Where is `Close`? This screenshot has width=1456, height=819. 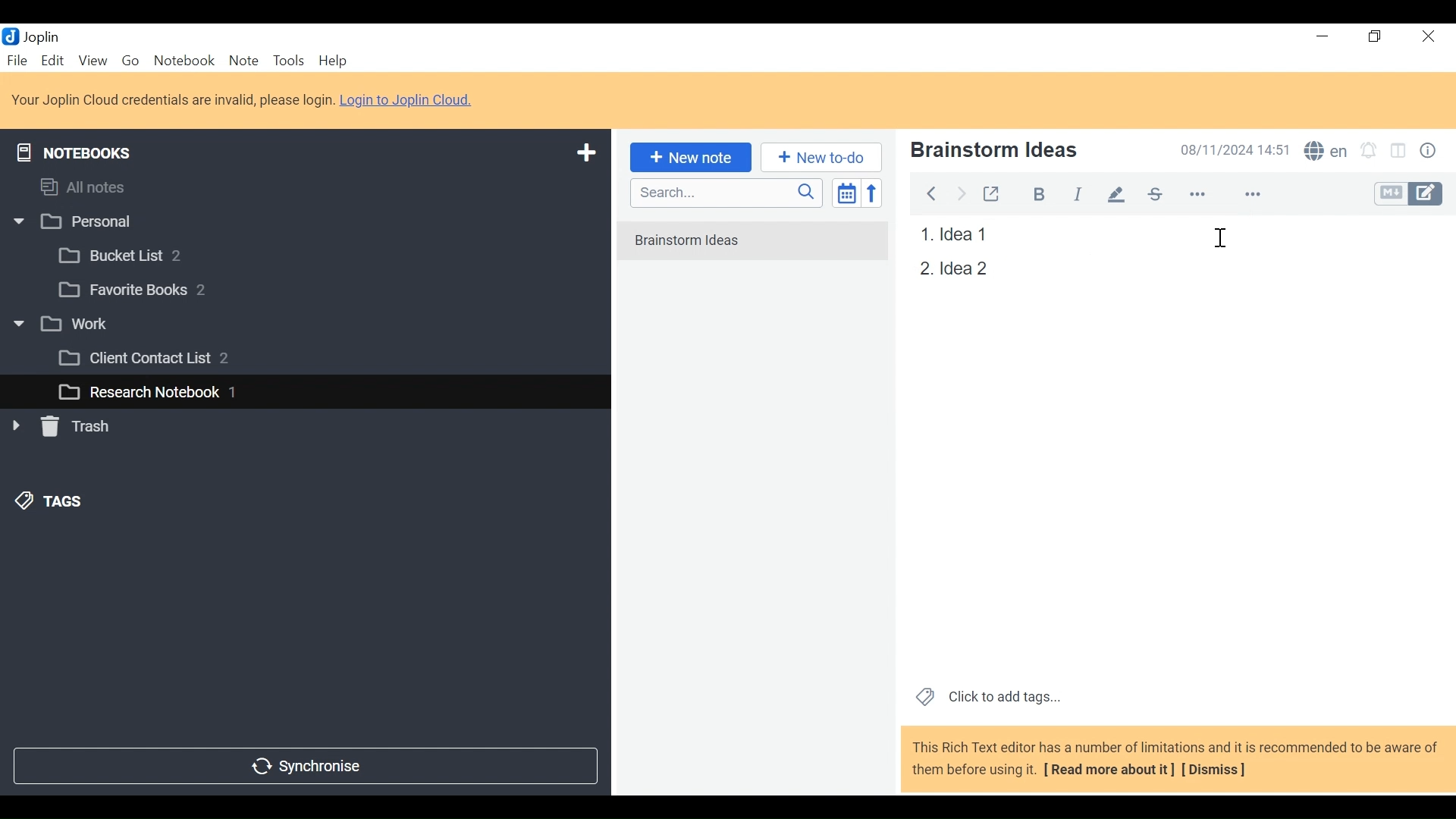
Close is located at coordinates (1426, 37).